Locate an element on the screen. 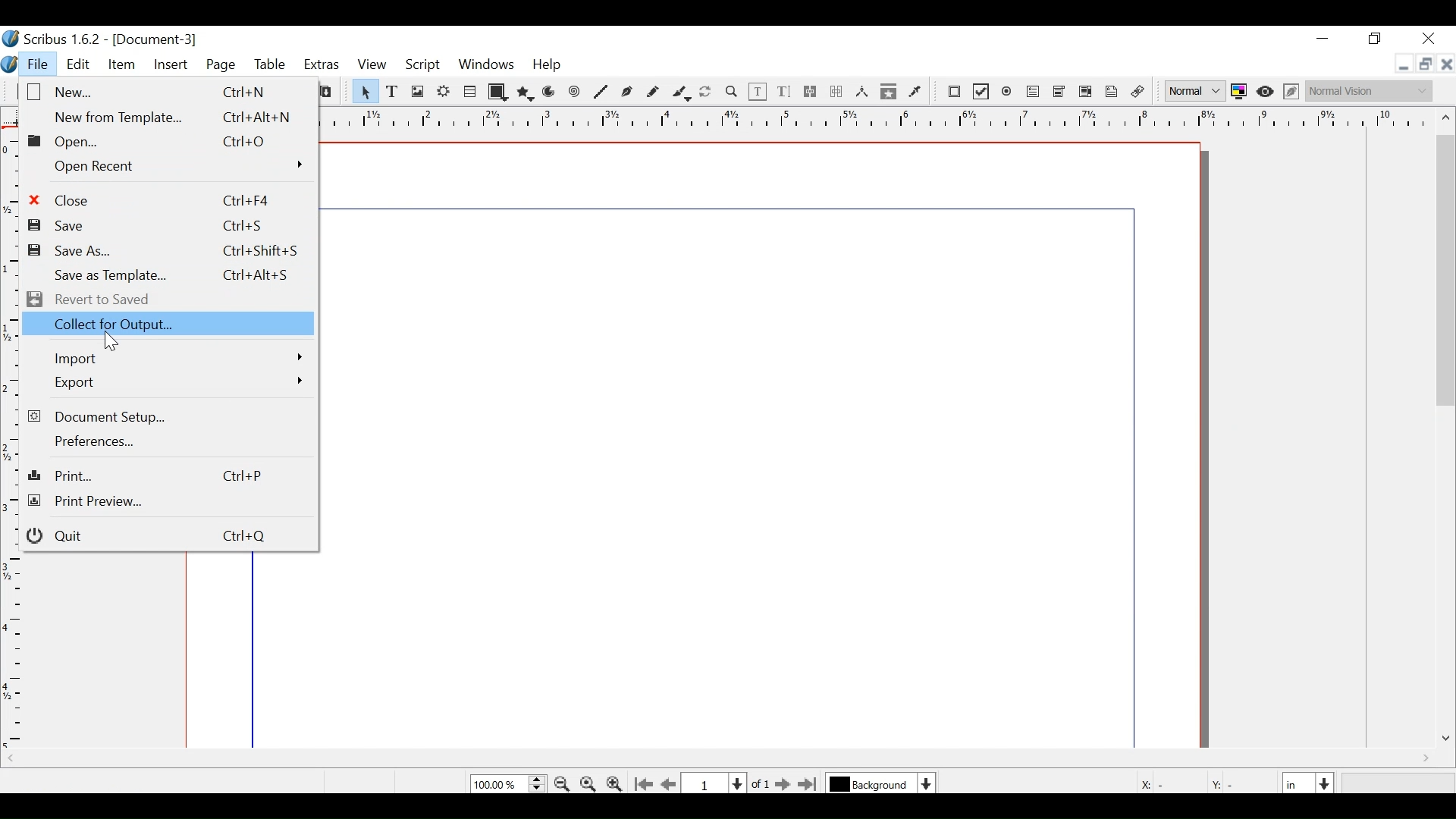 The width and height of the screenshot is (1456, 819). Table is located at coordinates (271, 66).